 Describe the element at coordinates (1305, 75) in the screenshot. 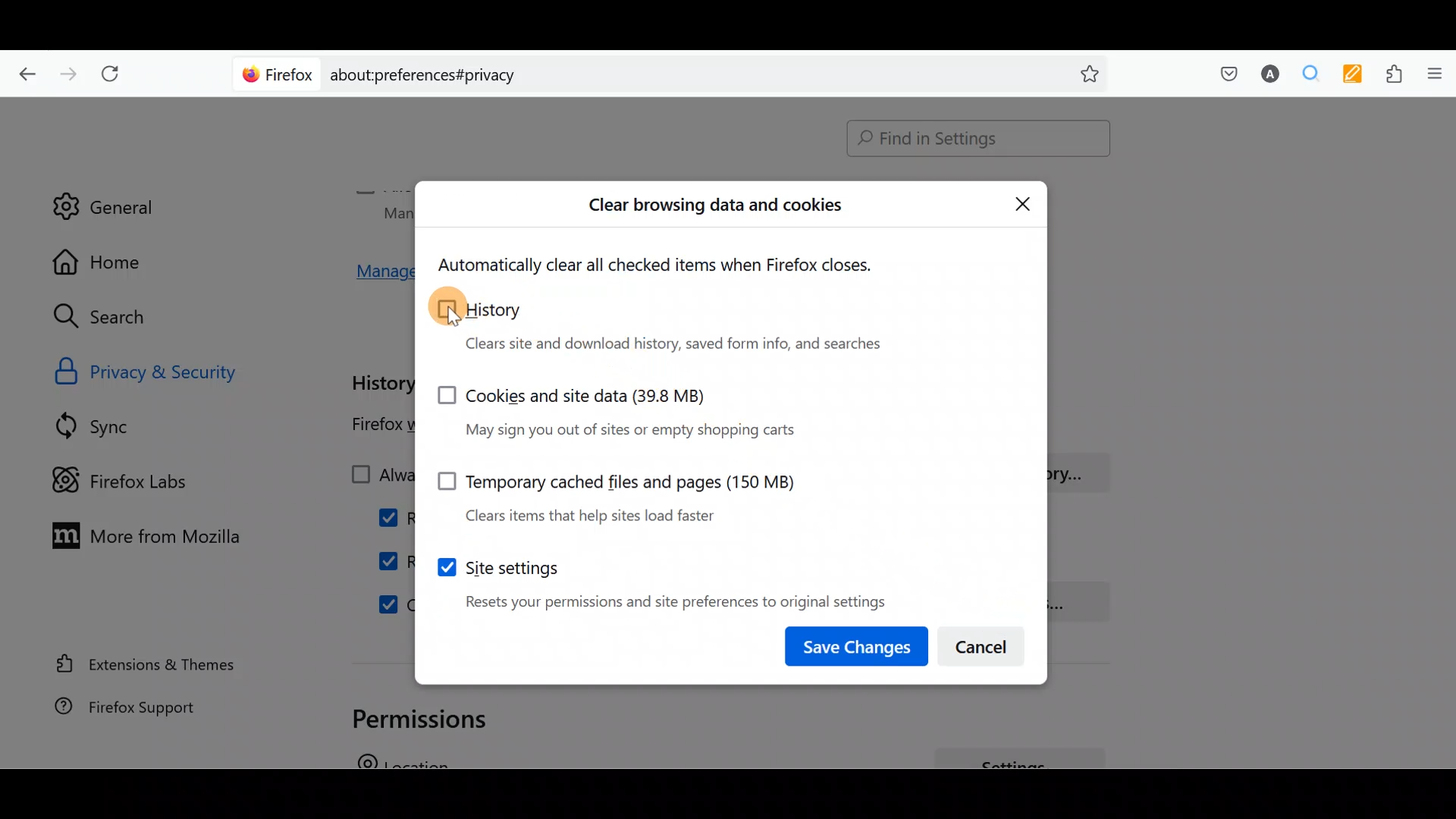

I see `Multiple search & highlight` at that location.